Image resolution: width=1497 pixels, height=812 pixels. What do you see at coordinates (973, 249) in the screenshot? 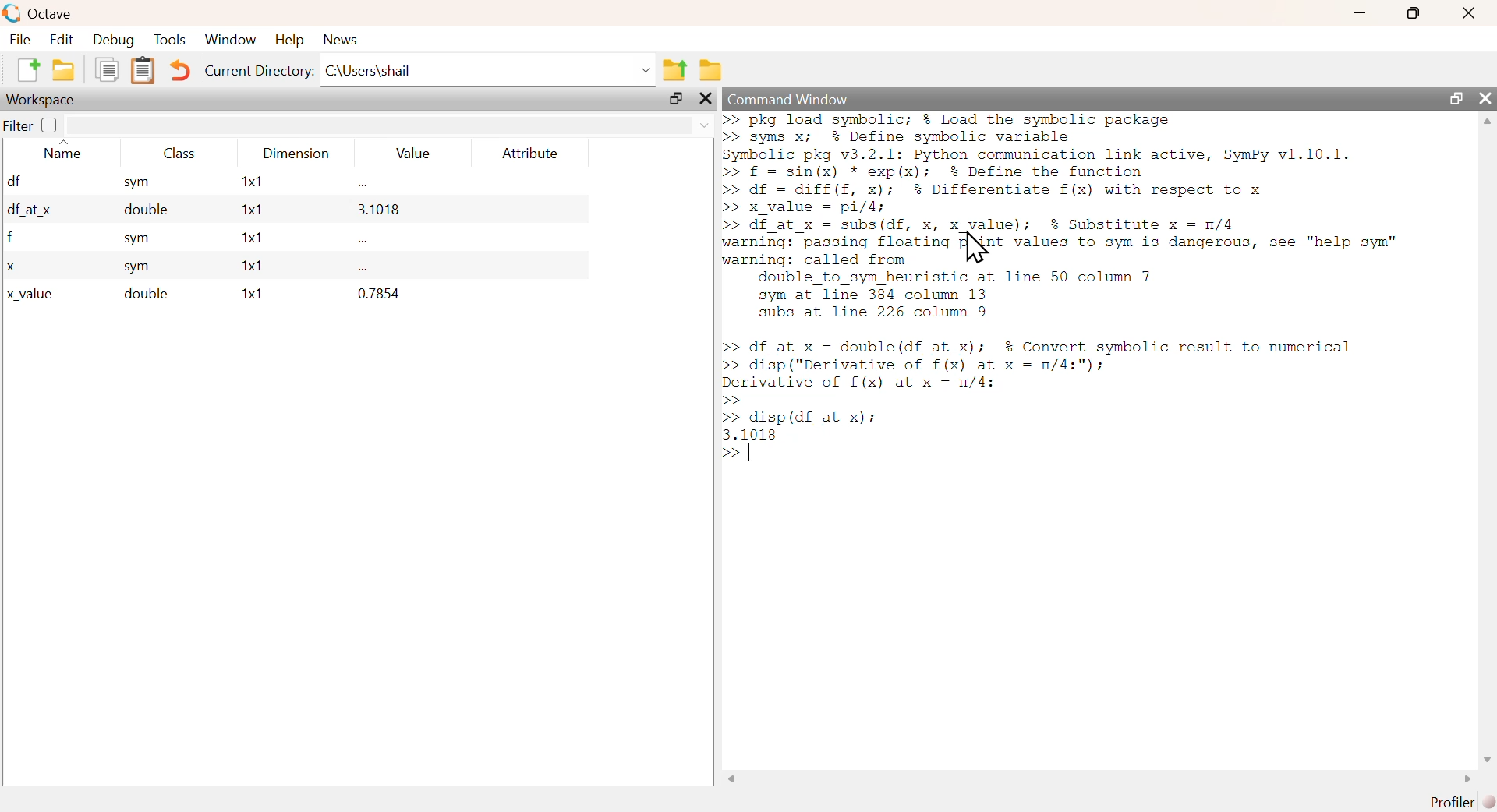
I see `Cursor` at bounding box center [973, 249].